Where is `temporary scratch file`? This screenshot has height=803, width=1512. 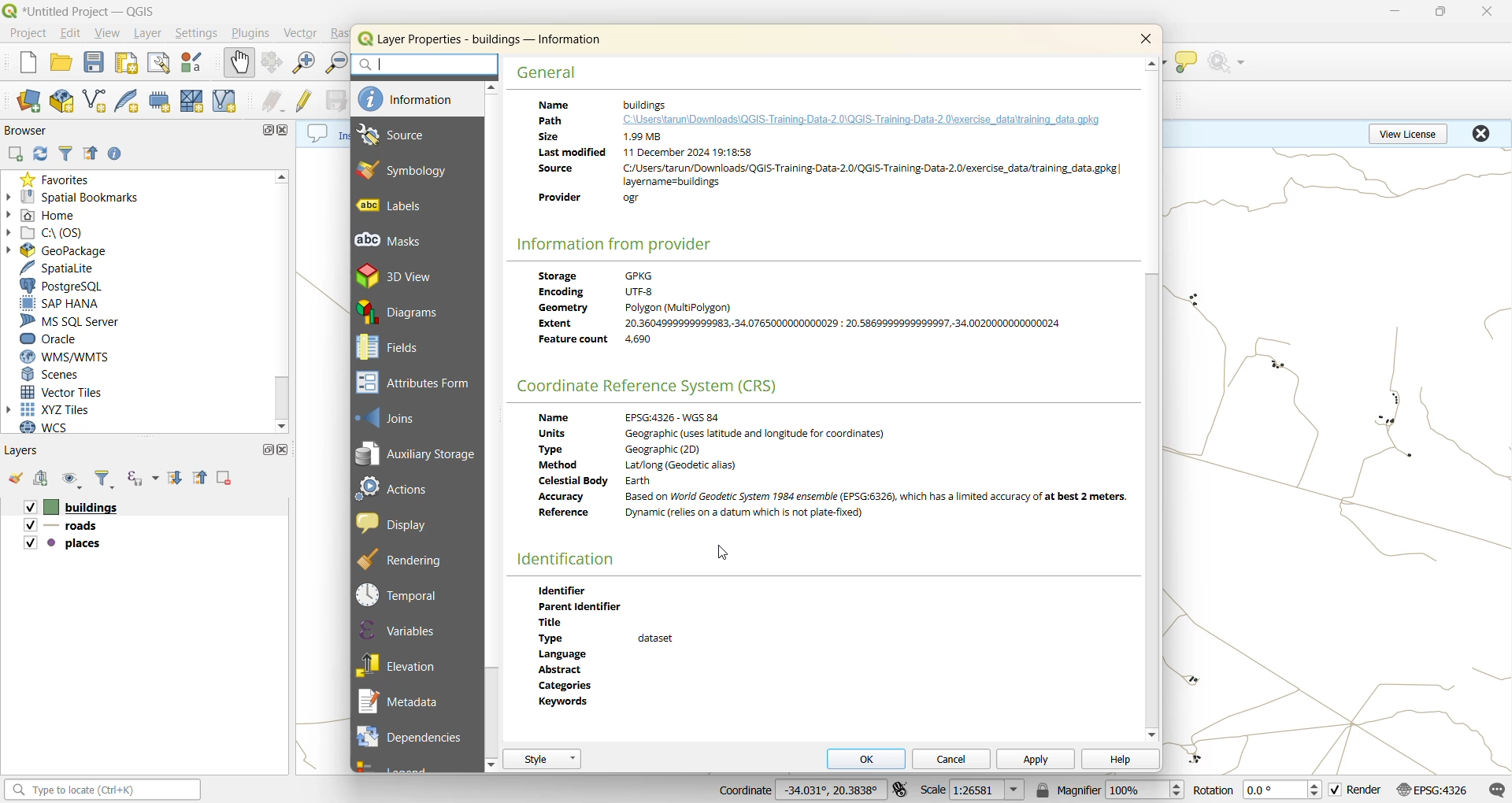 temporary scratch file is located at coordinates (160, 101).